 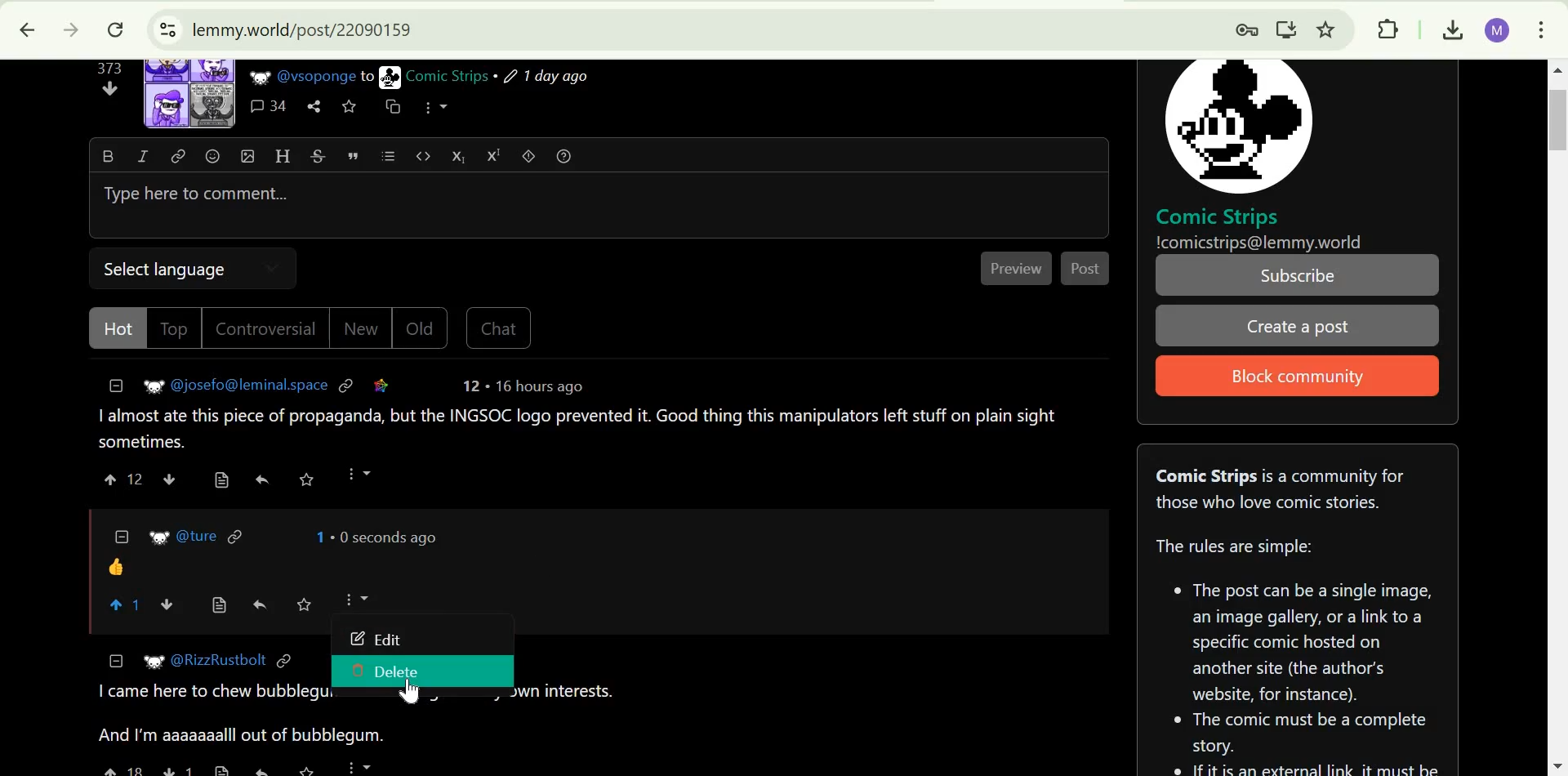 What do you see at coordinates (312, 769) in the screenshot?
I see `save` at bounding box center [312, 769].